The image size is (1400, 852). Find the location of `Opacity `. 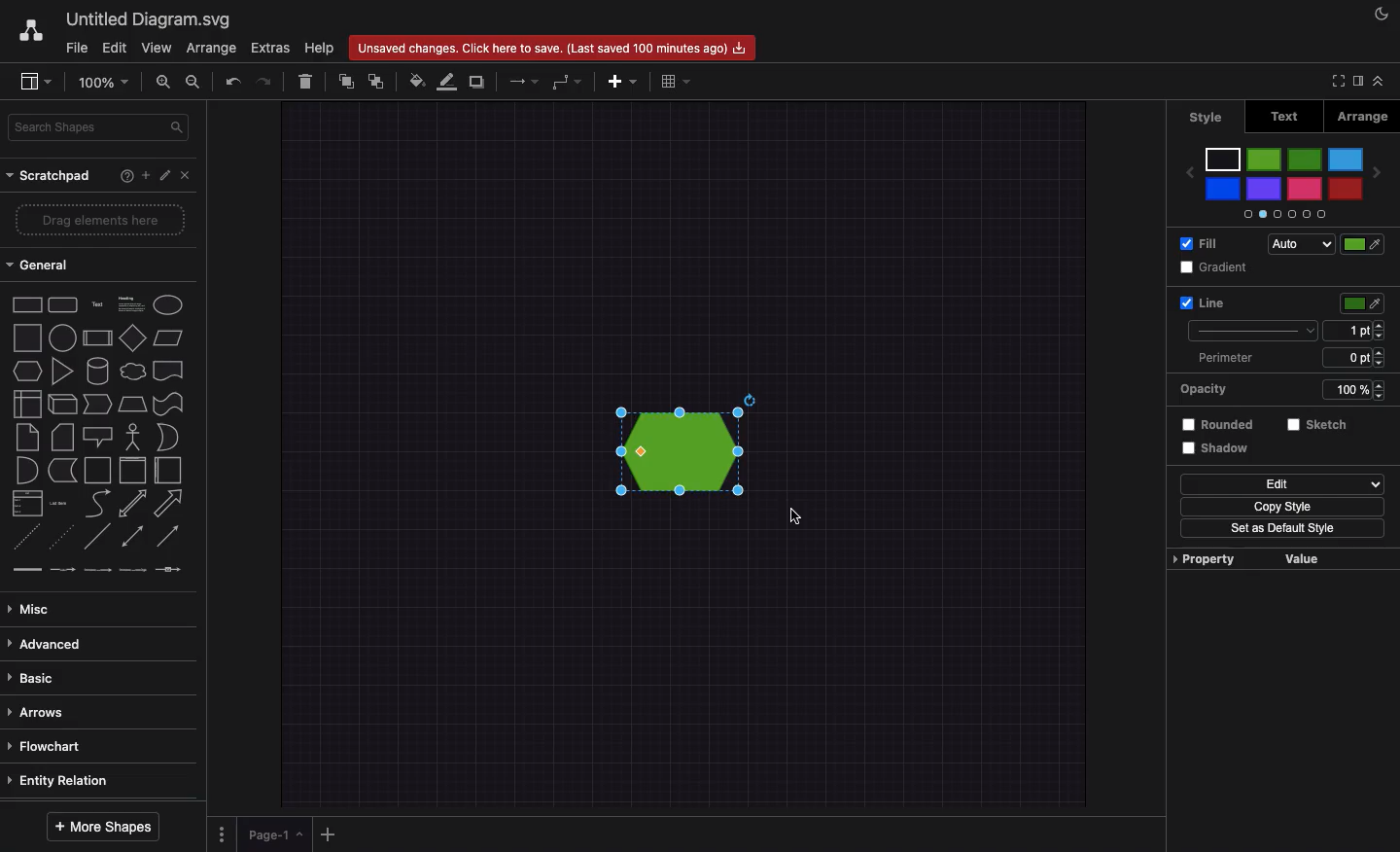

Opacity  is located at coordinates (1280, 389).